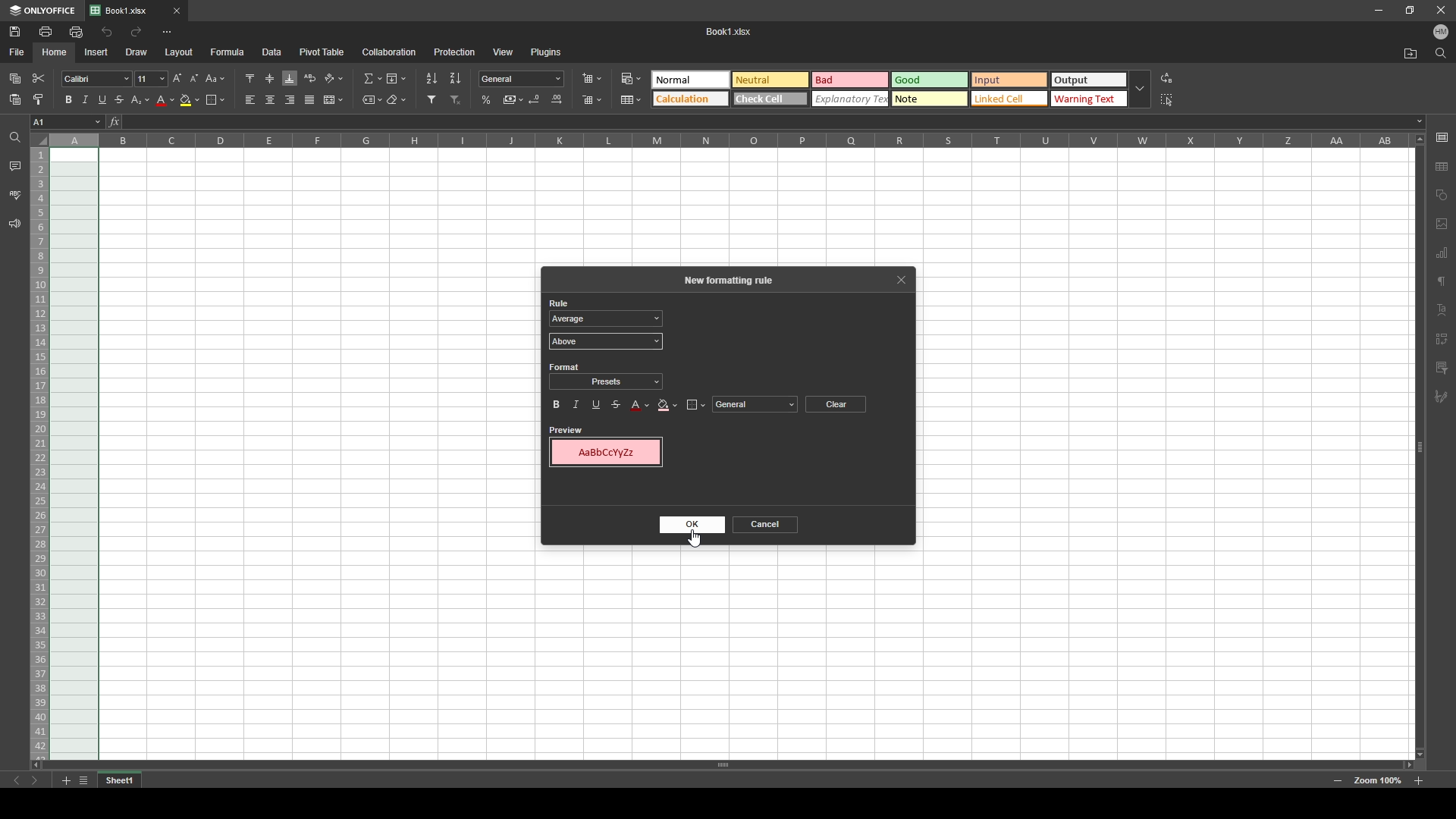  What do you see at coordinates (1442, 310) in the screenshot?
I see `text alignment` at bounding box center [1442, 310].